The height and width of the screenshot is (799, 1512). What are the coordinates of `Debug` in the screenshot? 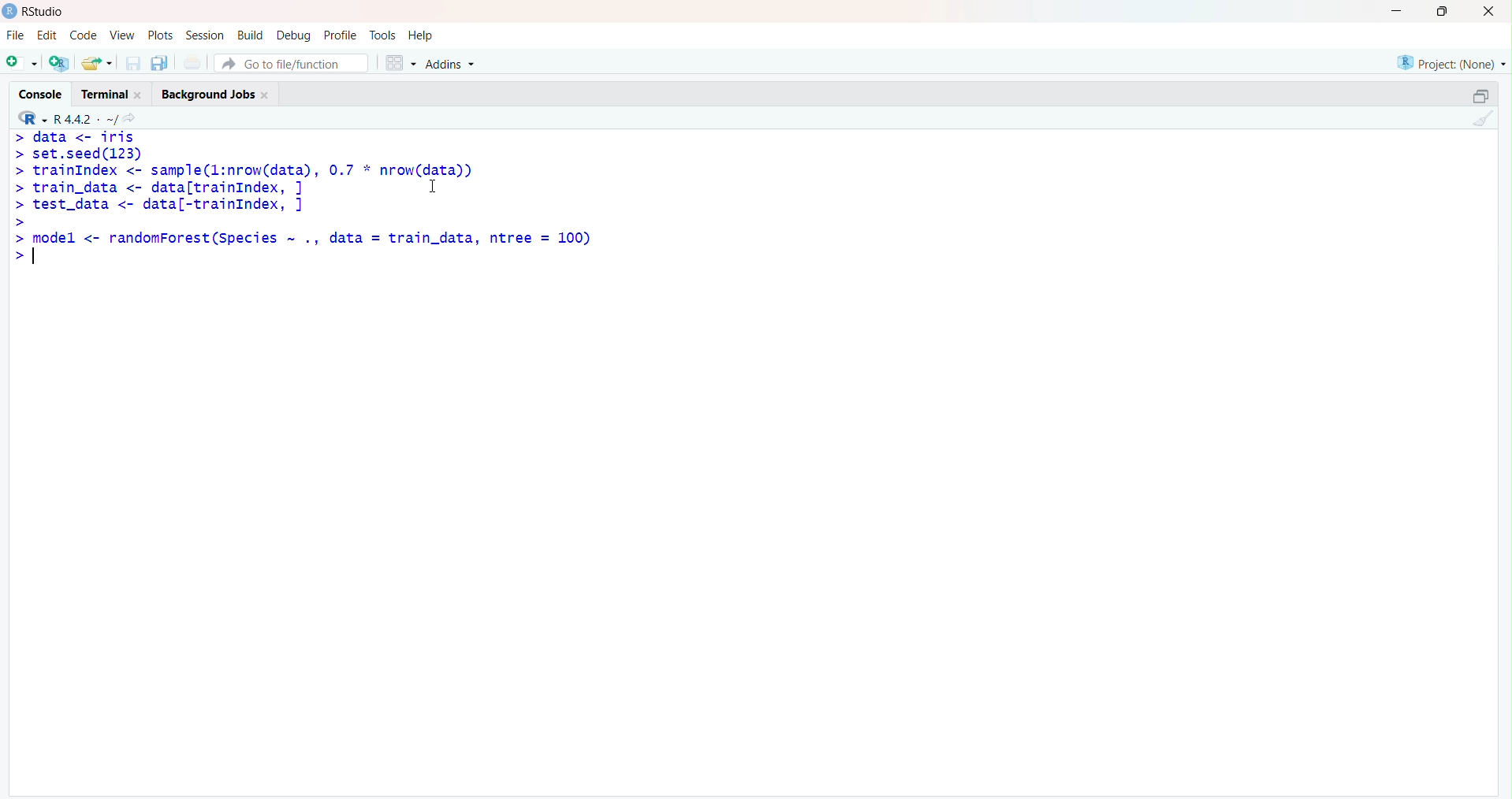 It's located at (295, 34).